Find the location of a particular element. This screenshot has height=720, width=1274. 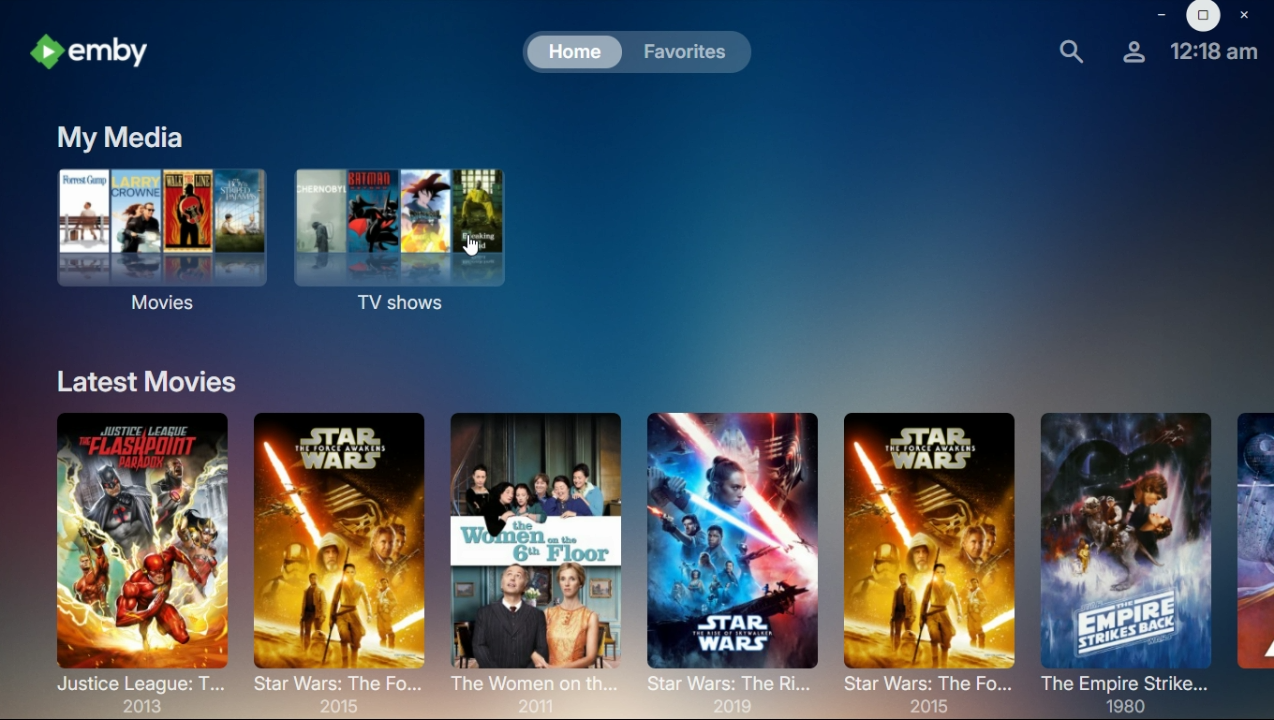

star wars the force awakens 2015 is located at coordinates (925, 555).